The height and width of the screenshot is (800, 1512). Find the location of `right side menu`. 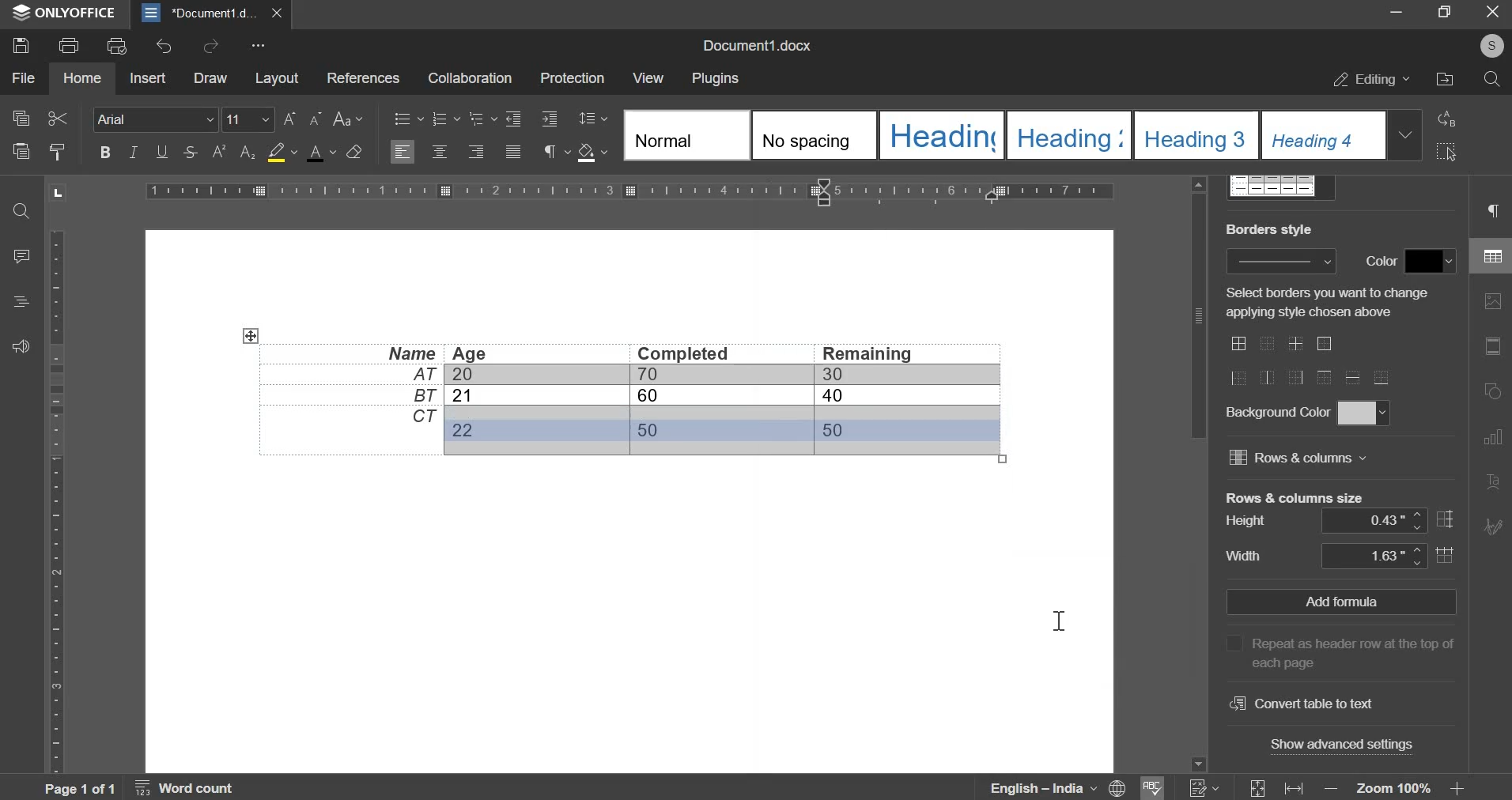

right side menu is located at coordinates (1491, 370).